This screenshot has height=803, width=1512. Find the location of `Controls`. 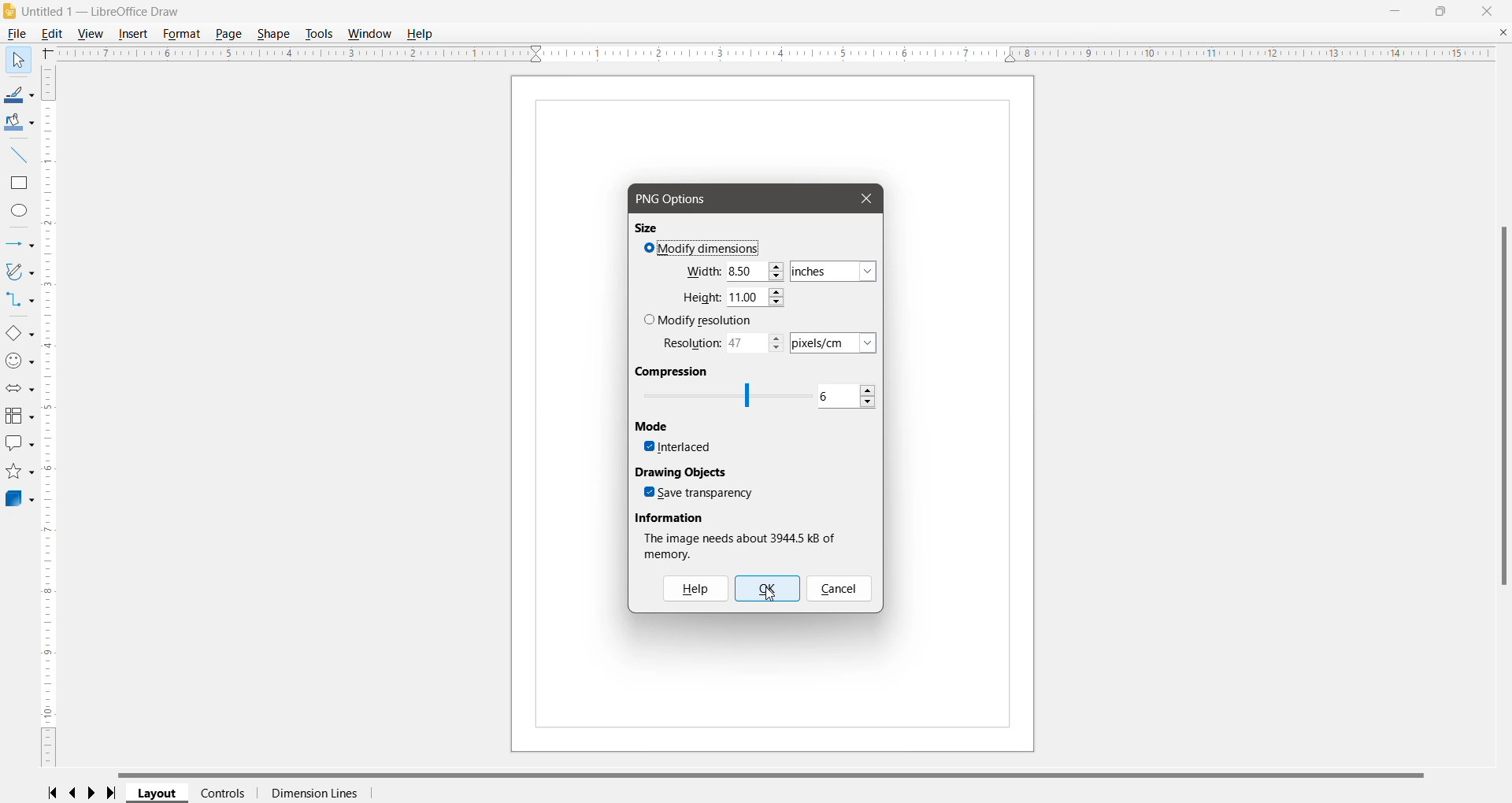

Controls is located at coordinates (223, 793).